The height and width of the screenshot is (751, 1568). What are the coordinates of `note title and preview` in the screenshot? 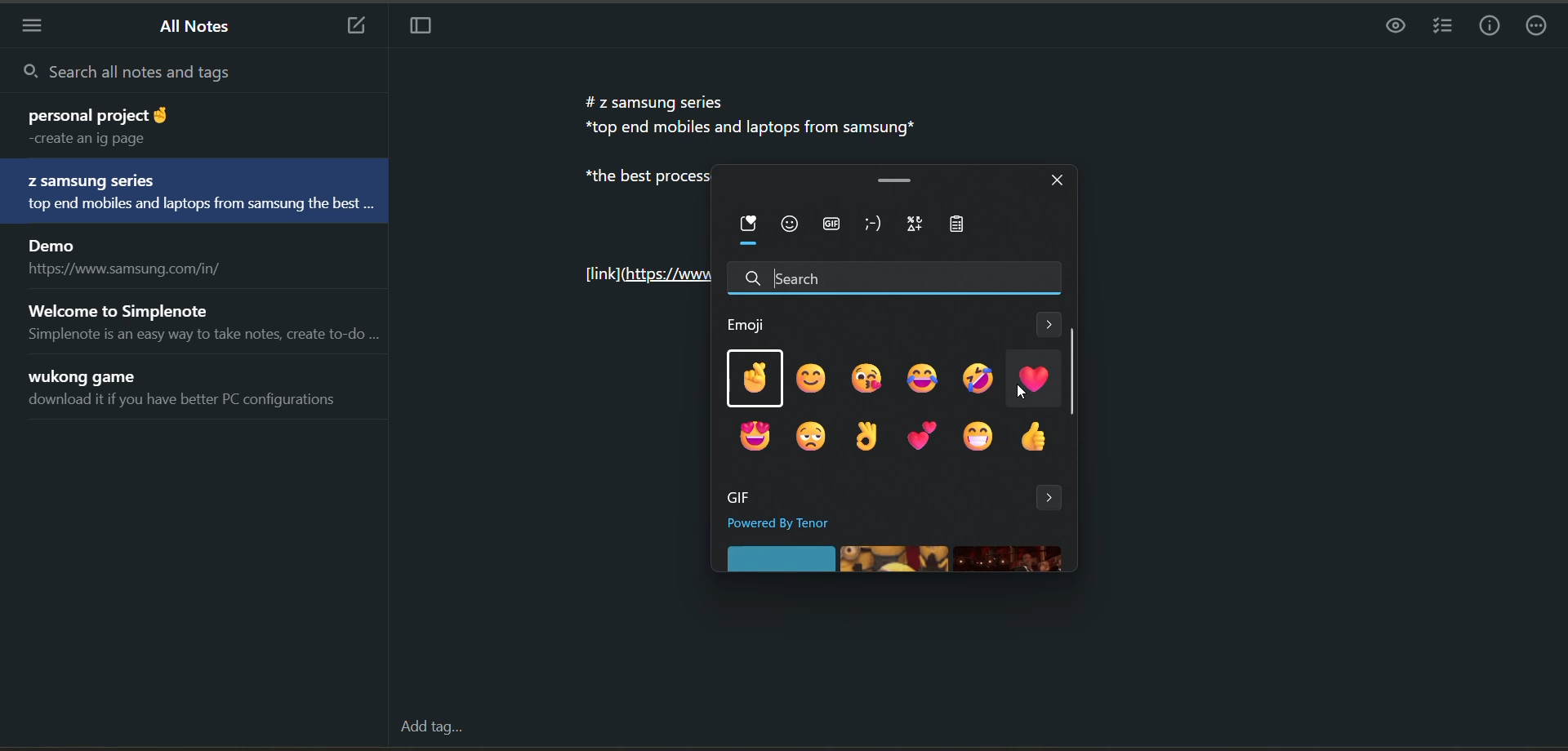 It's located at (176, 125).